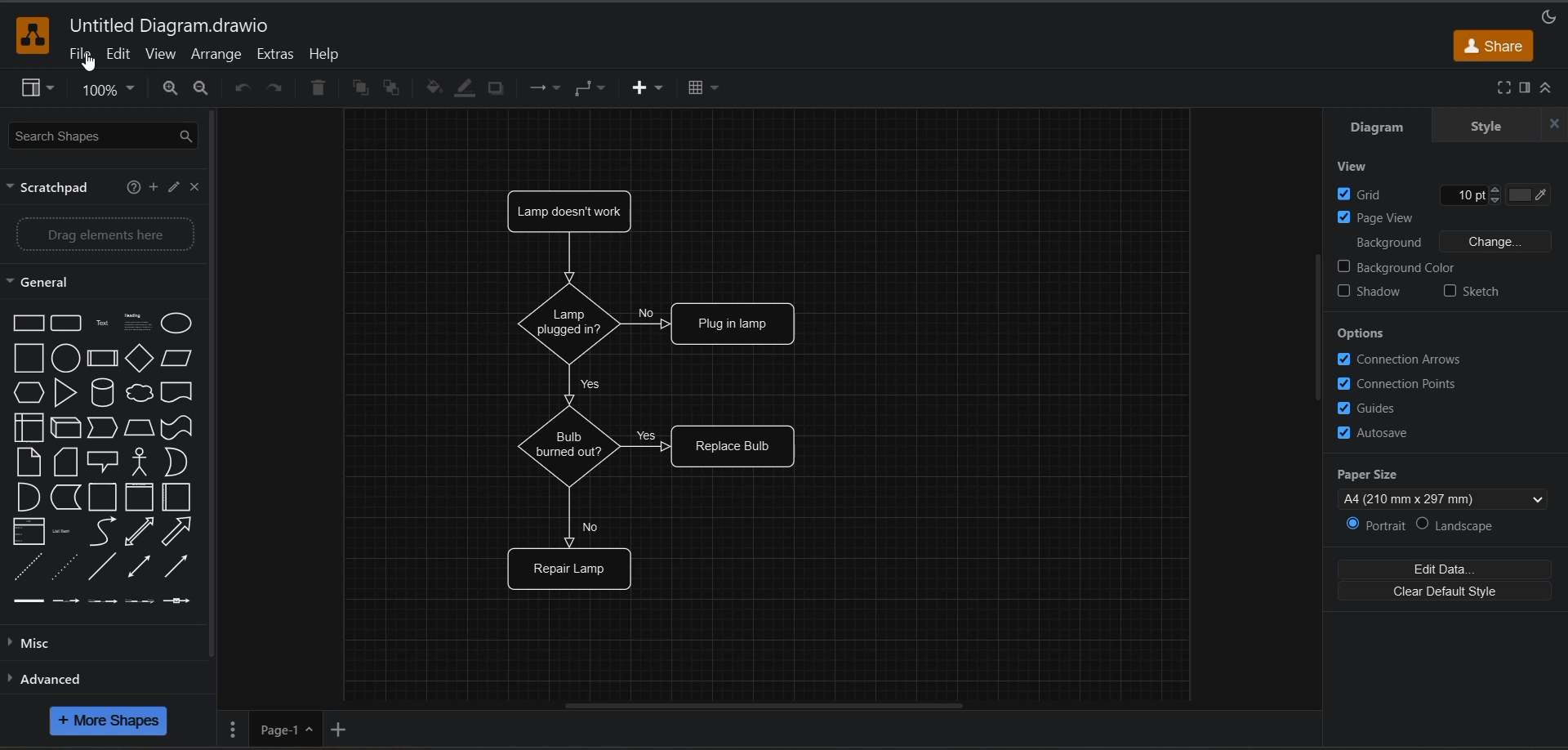 This screenshot has height=750, width=1568. Describe the element at coordinates (1365, 333) in the screenshot. I see `options` at that location.